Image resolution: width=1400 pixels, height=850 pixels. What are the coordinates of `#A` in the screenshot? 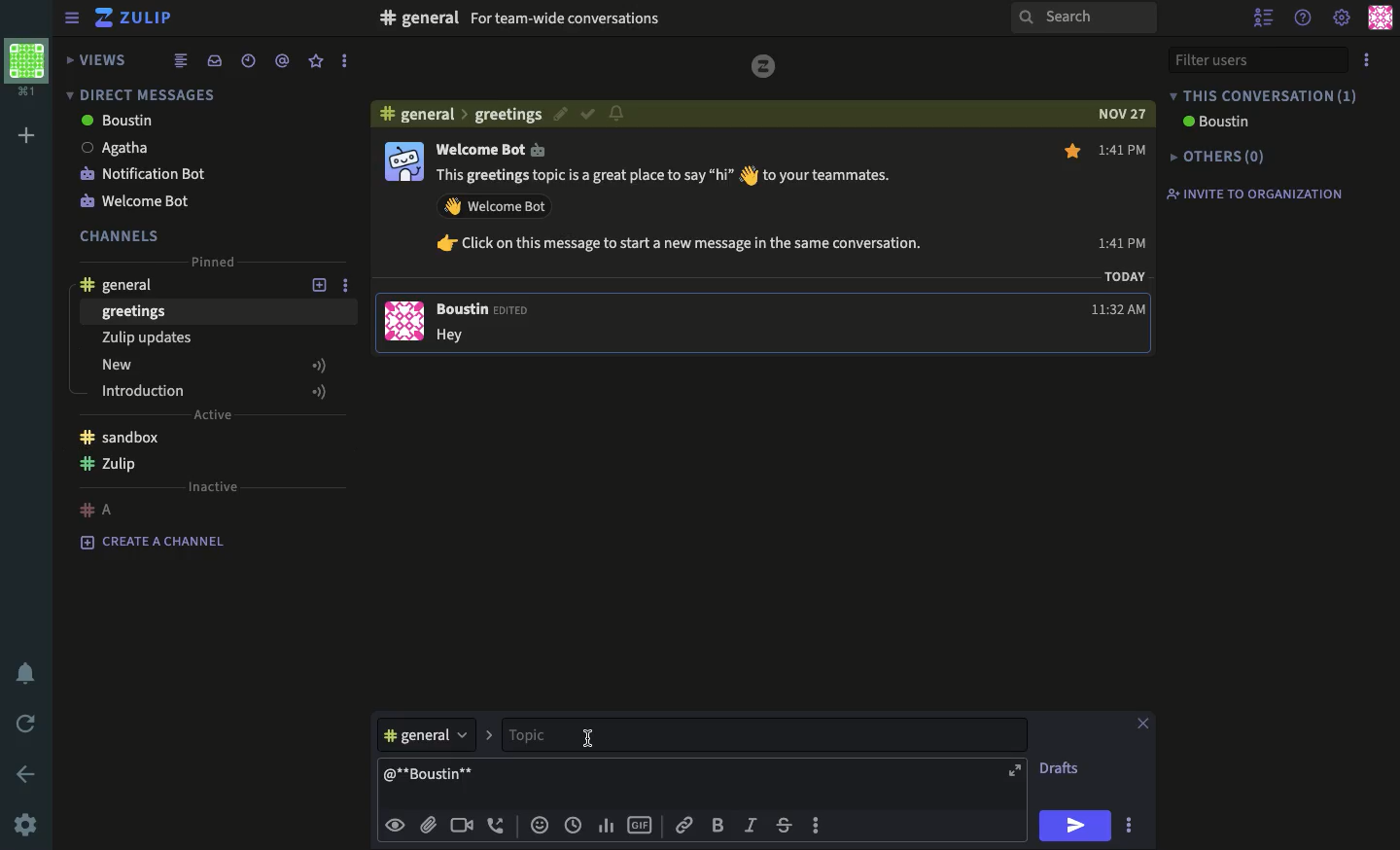 It's located at (100, 506).